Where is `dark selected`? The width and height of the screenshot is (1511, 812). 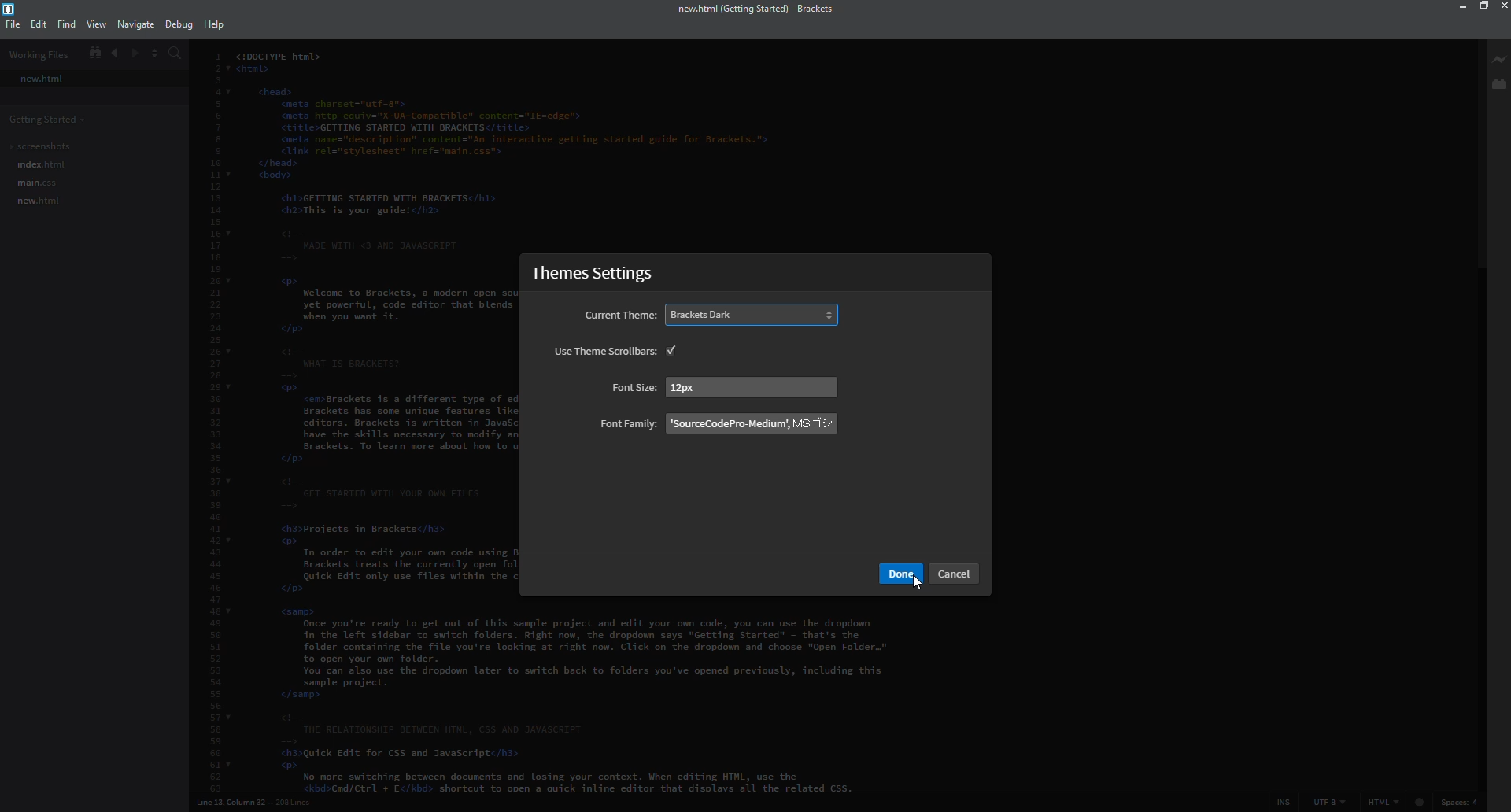
dark selected is located at coordinates (719, 314).